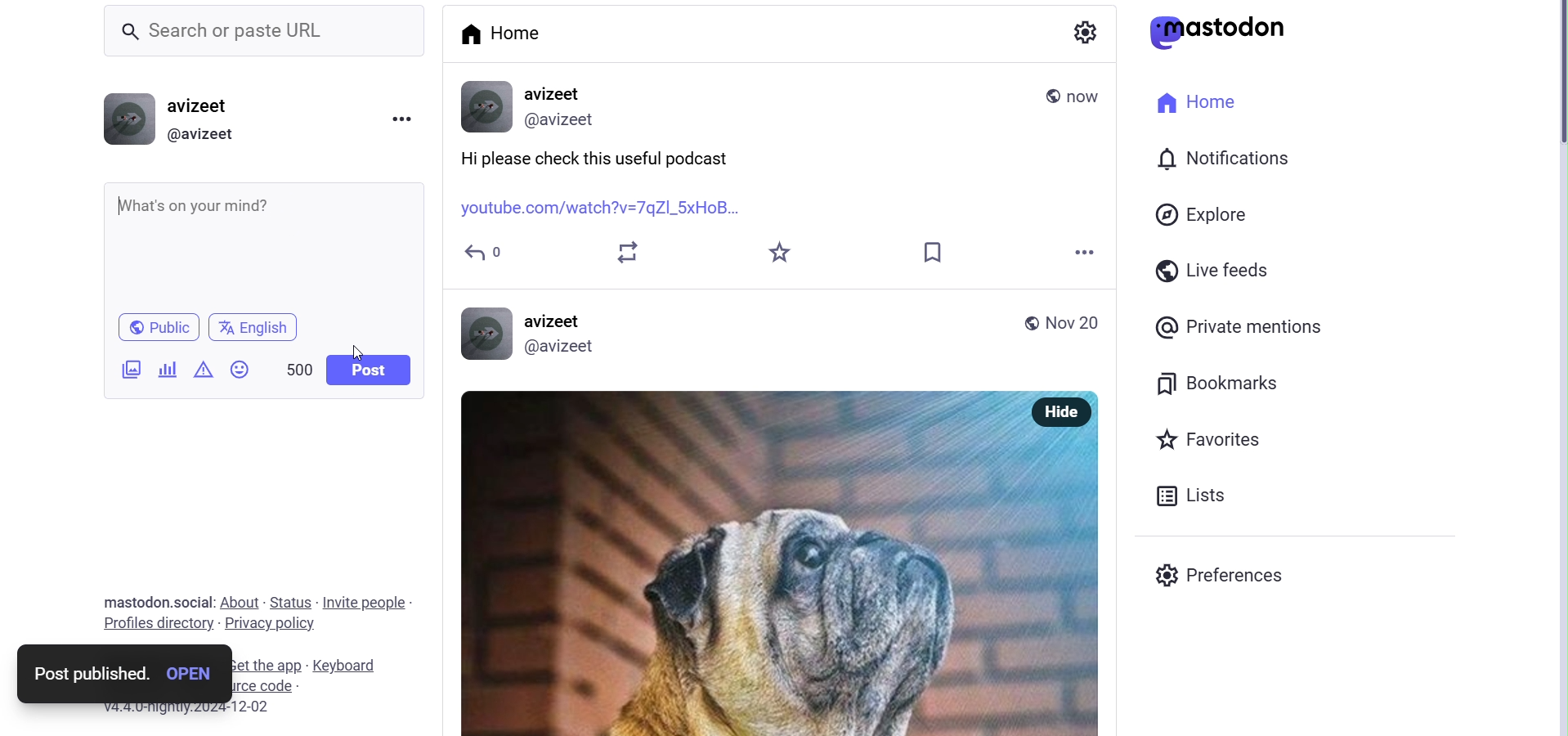 The height and width of the screenshot is (736, 1568). What do you see at coordinates (1267, 325) in the screenshot?
I see `private mentions` at bounding box center [1267, 325].